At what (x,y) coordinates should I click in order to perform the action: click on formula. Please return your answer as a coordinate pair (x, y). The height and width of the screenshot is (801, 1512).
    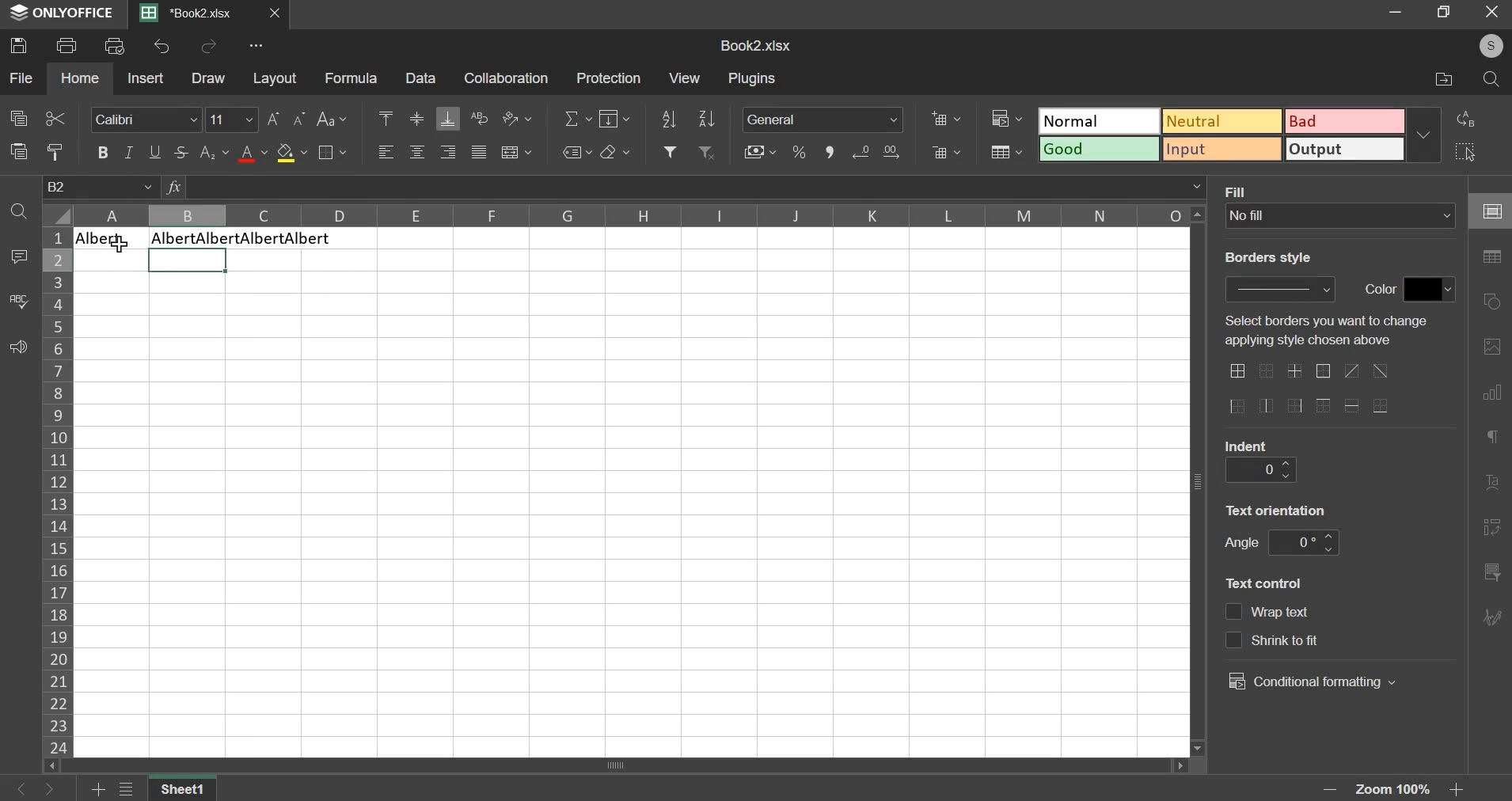
    Looking at the image, I should click on (352, 78).